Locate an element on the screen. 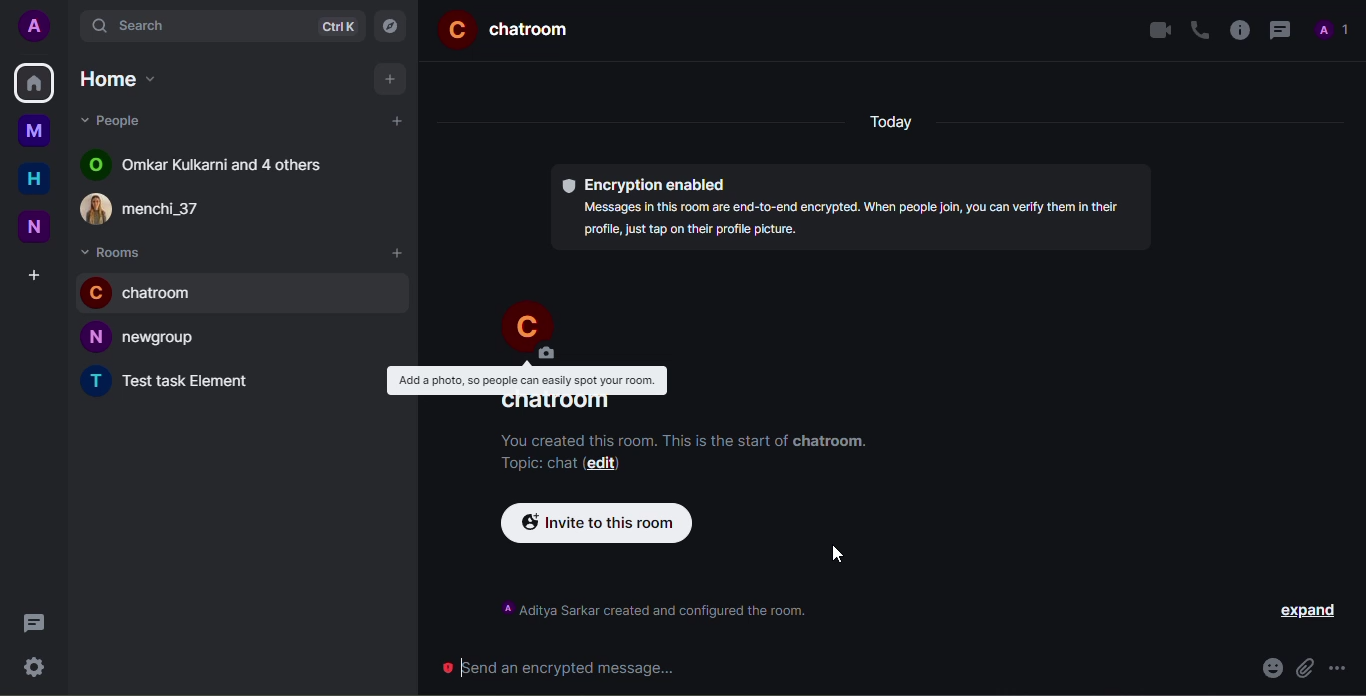 This screenshot has width=1366, height=696. add is located at coordinates (398, 254).